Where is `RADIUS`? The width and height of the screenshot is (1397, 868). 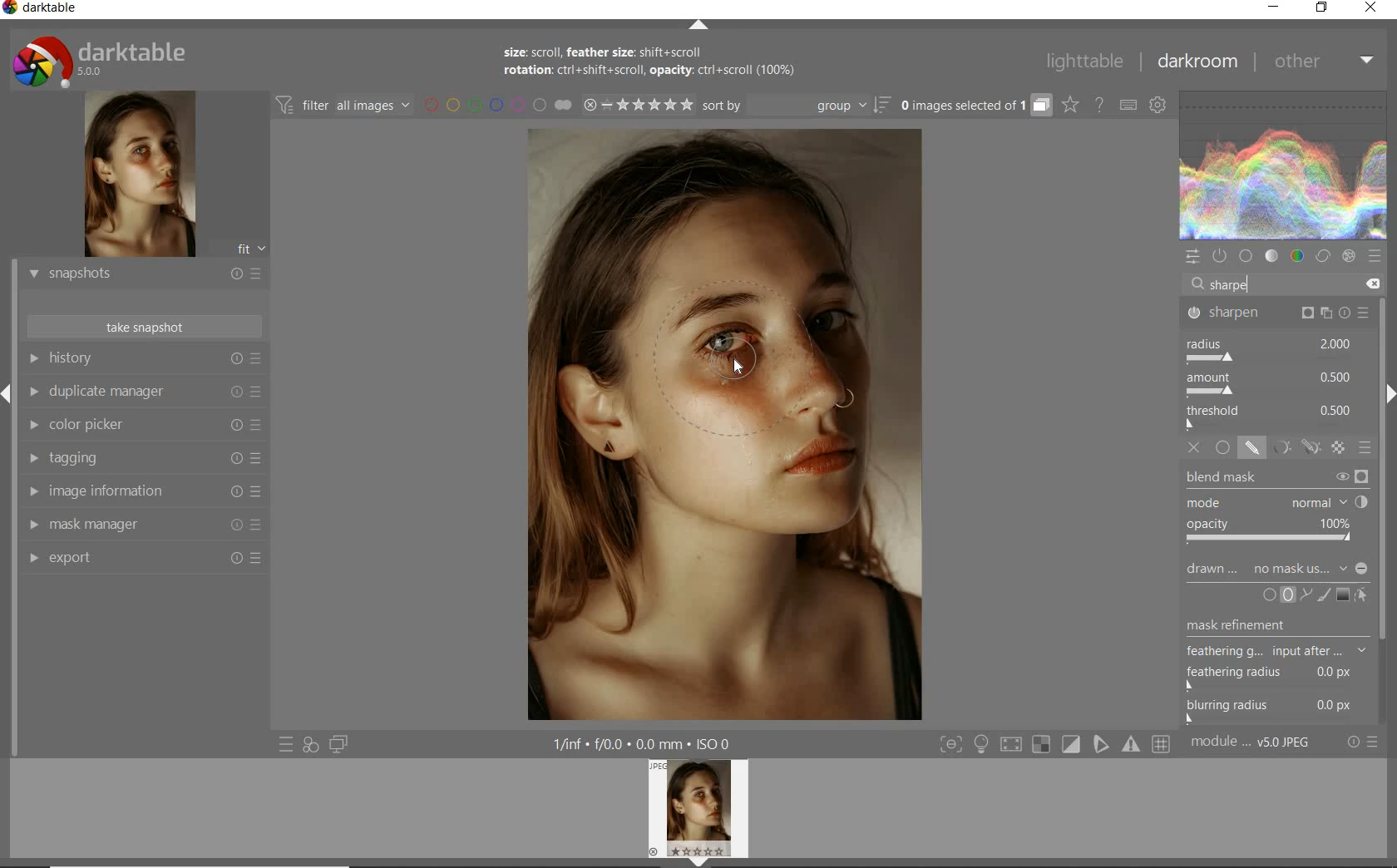 RADIUS is located at coordinates (1270, 350).